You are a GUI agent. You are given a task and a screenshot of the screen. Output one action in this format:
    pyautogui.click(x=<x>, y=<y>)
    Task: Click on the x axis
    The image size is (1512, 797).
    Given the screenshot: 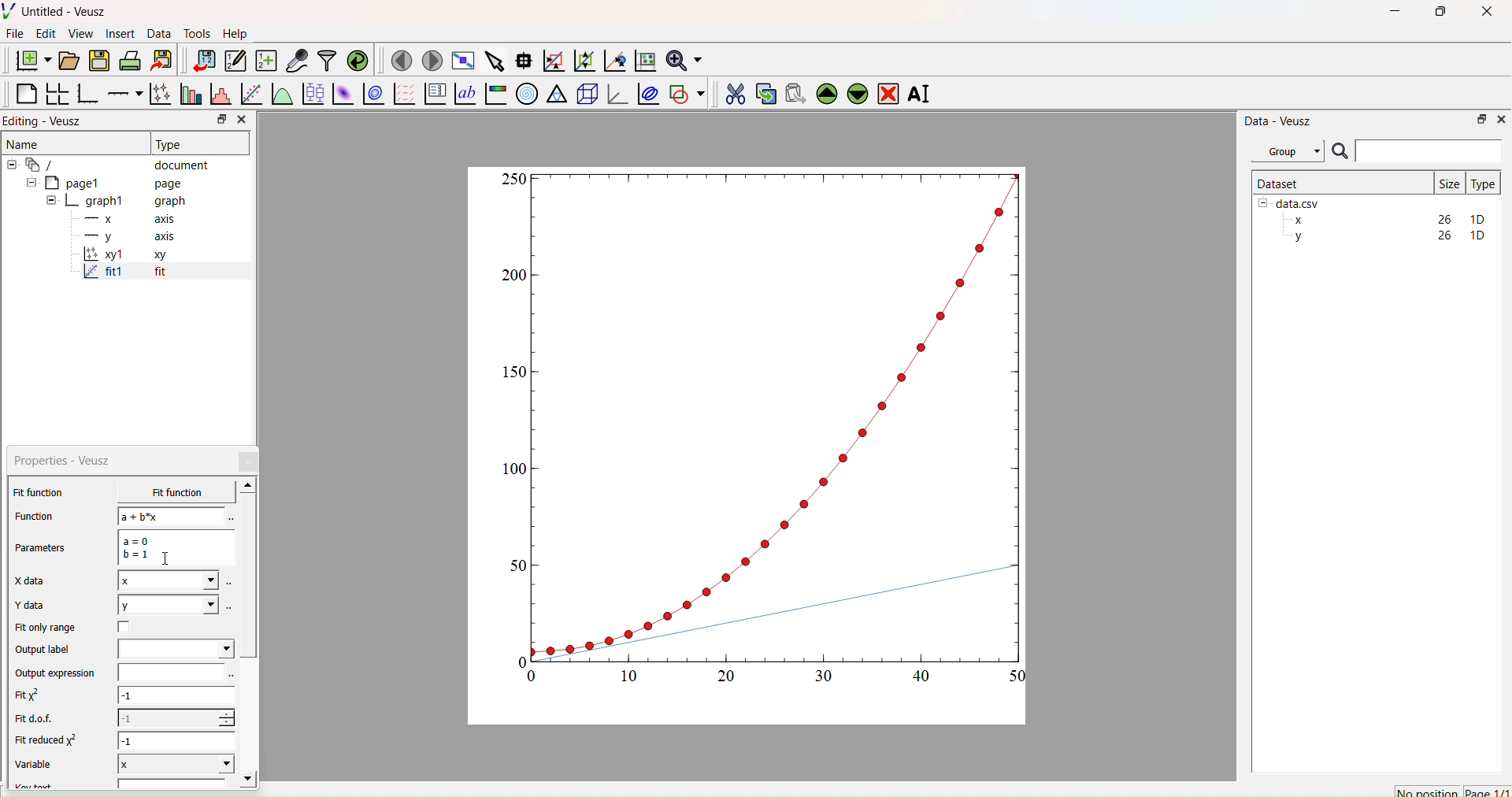 What is the action you would take?
    pyautogui.click(x=128, y=217)
    